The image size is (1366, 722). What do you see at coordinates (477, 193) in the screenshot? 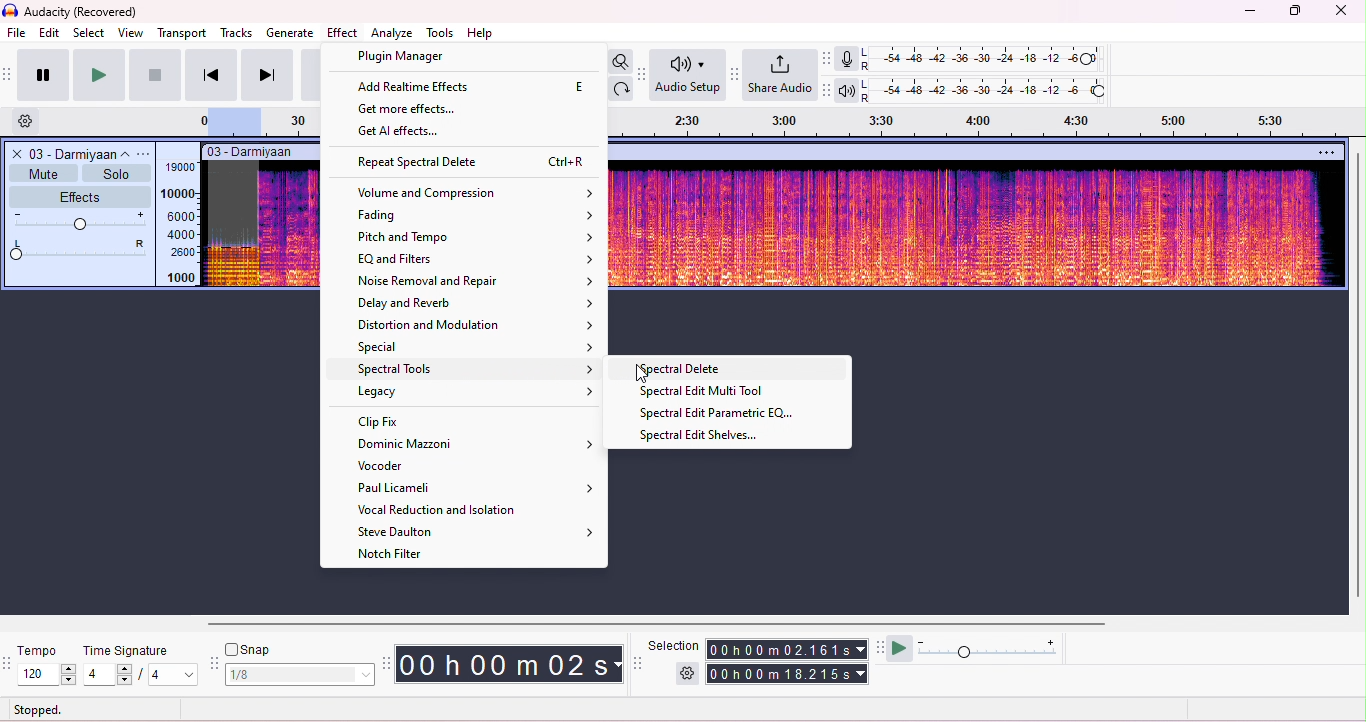
I see `volume and compression` at bounding box center [477, 193].